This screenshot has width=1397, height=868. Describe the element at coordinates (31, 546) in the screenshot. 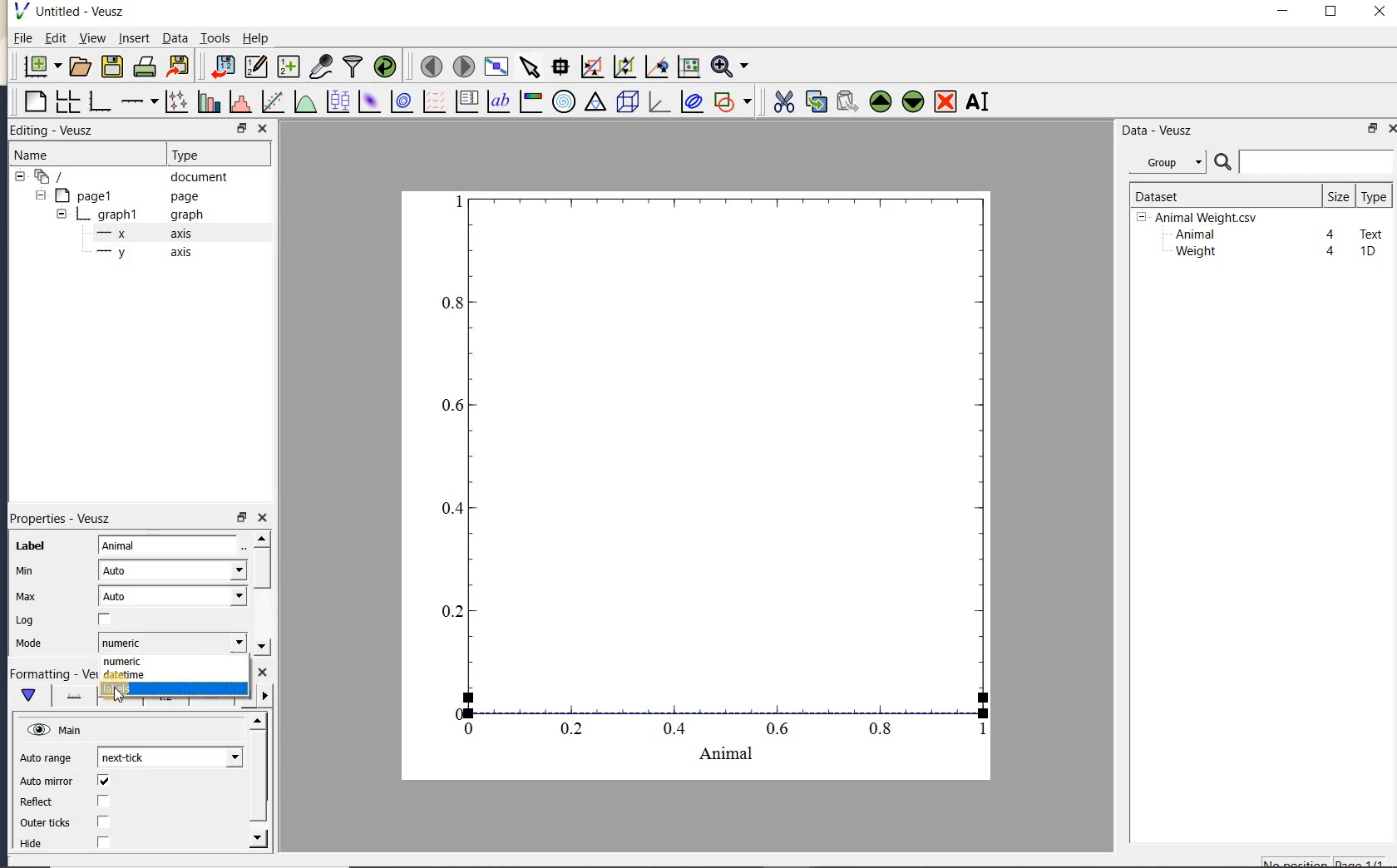

I see `Label` at that location.